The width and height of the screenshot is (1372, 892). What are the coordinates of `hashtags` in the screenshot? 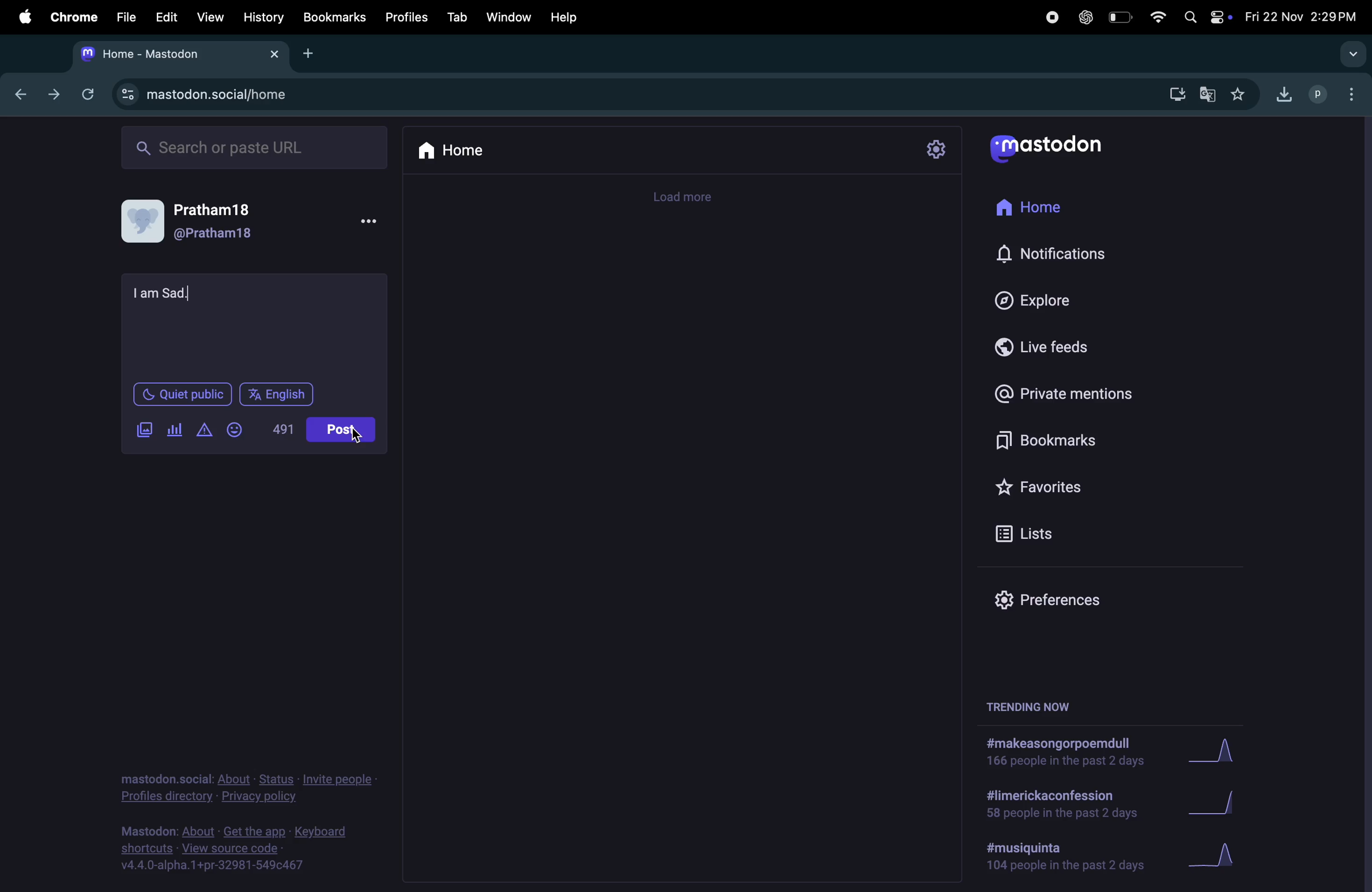 It's located at (1068, 753).